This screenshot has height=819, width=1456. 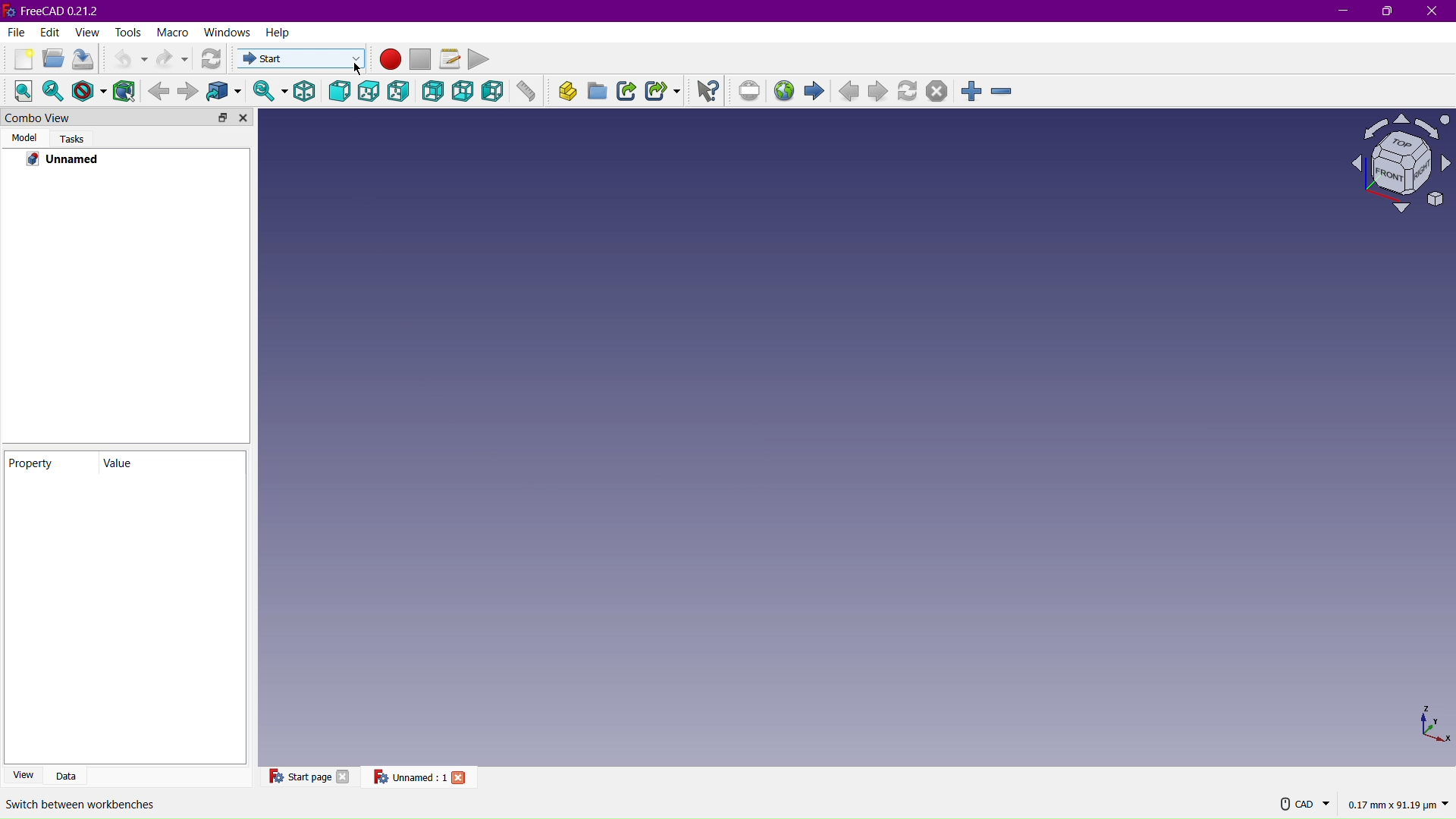 I want to click on Model, so click(x=23, y=139).